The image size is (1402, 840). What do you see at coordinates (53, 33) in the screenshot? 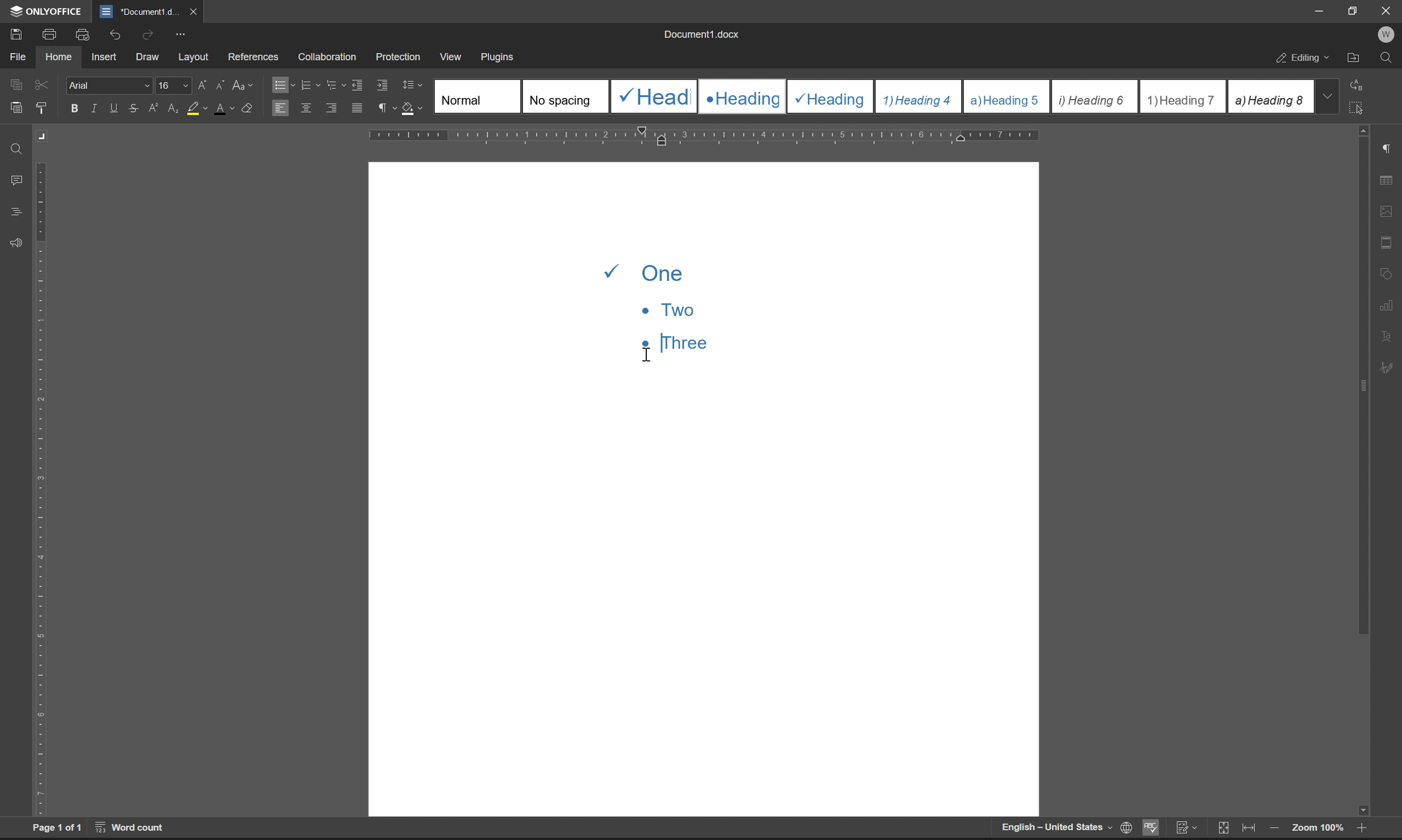
I see `print` at bounding box center [53, 33].